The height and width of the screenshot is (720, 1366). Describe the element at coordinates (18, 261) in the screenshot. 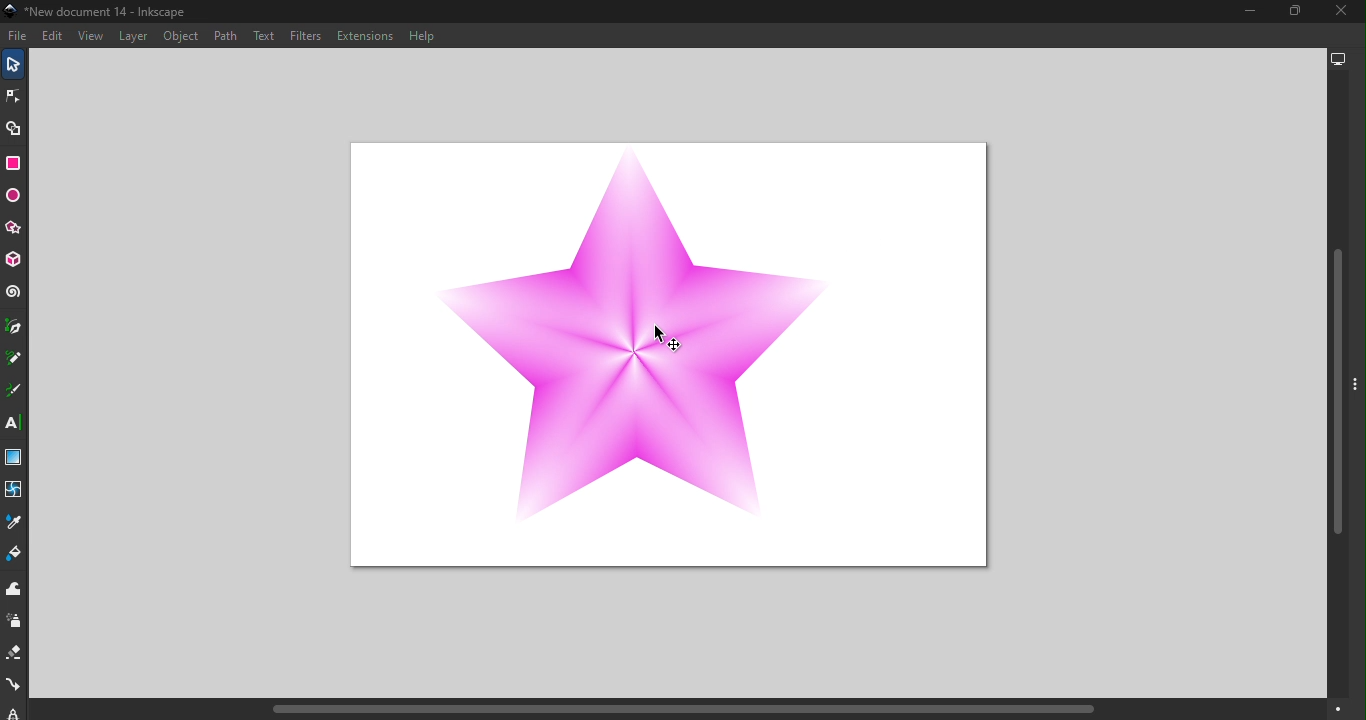

I see `3D box tool` at that location.